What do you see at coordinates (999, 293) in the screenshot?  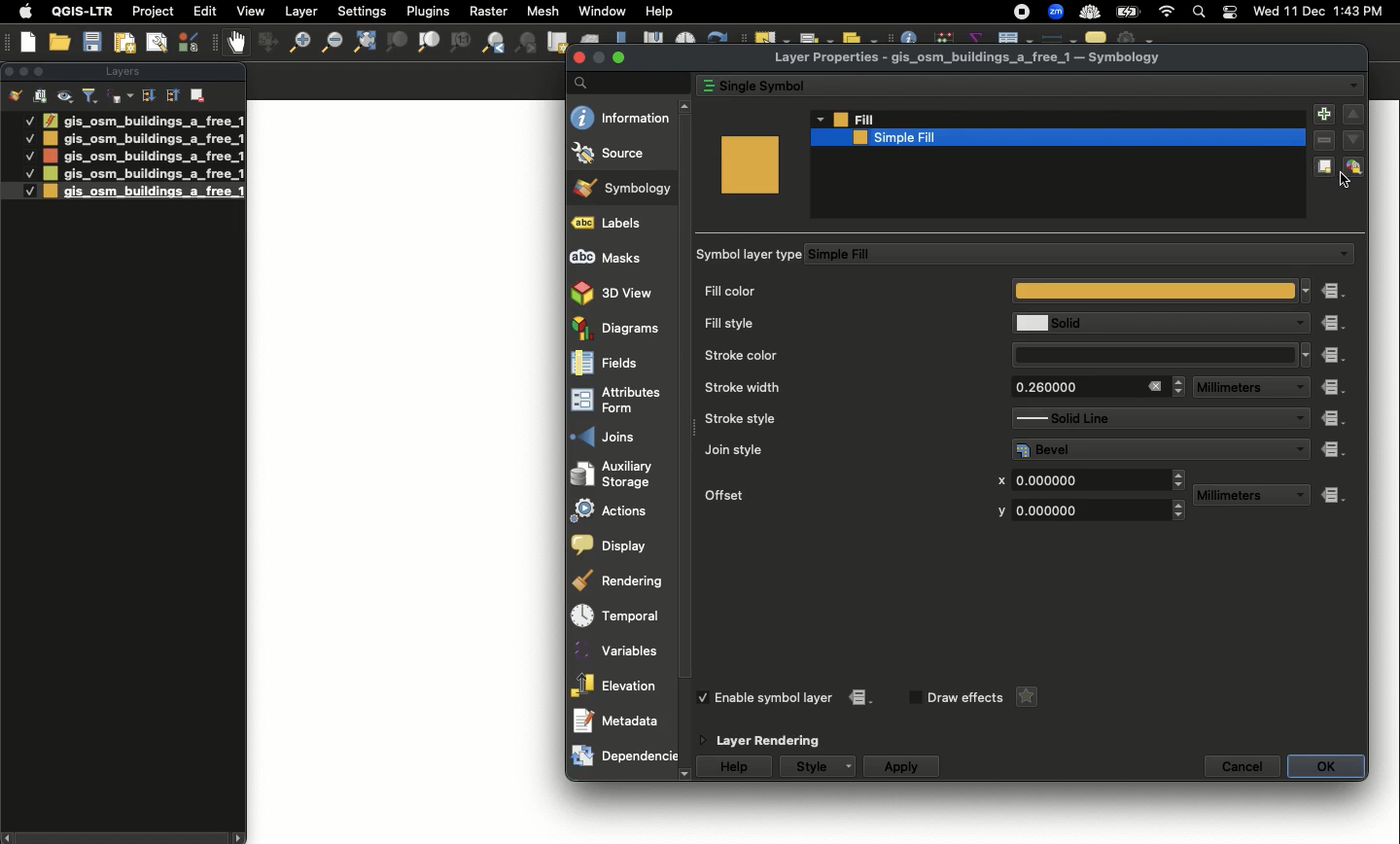 I see `Fill color` at bounding box center [999, 293].